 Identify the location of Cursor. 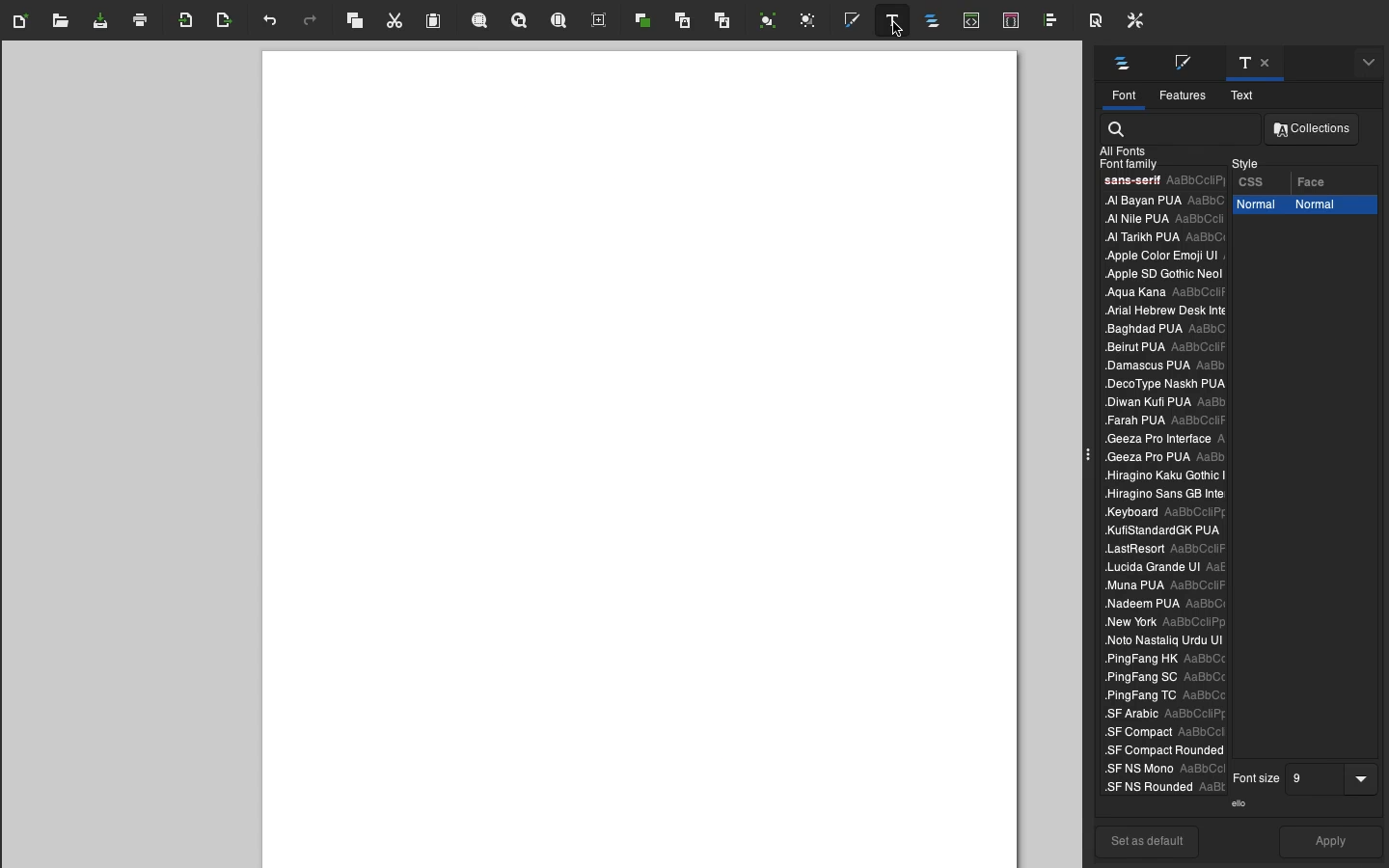
(894, 32).